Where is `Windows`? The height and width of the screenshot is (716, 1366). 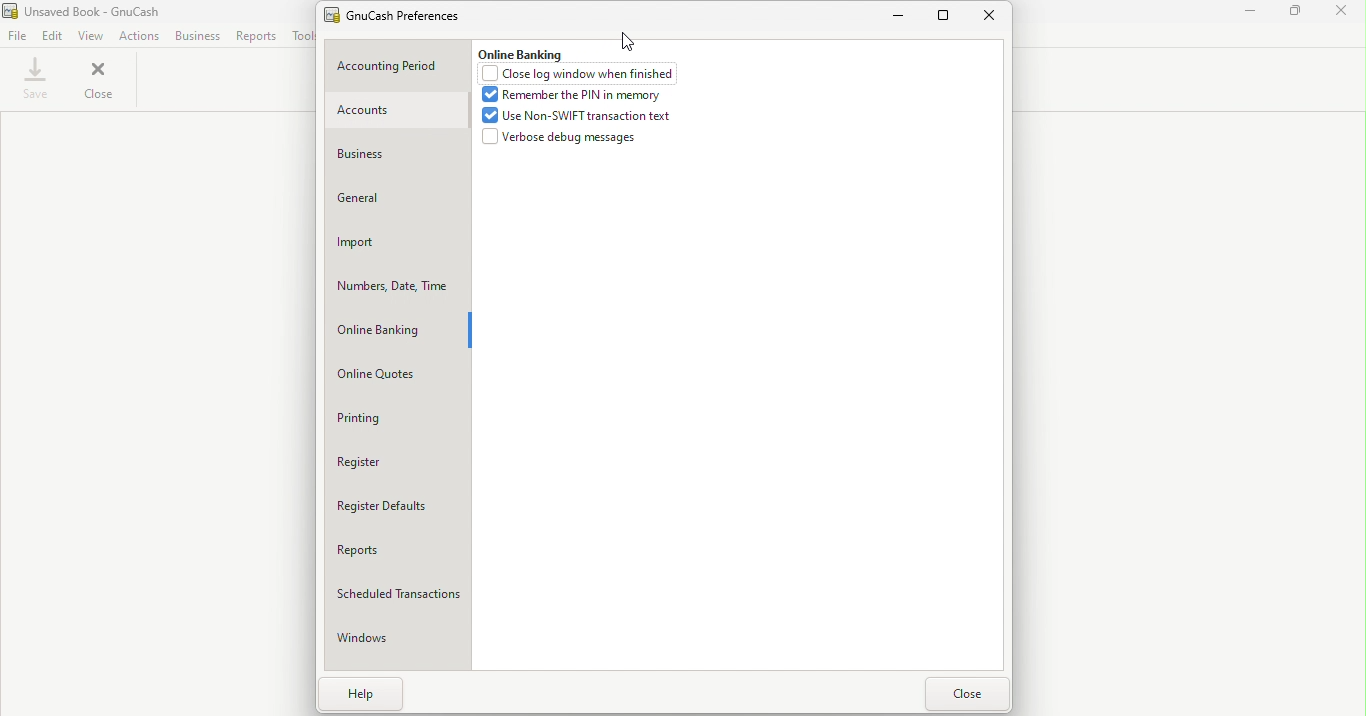
Windows is located at coordinates (396, 643).